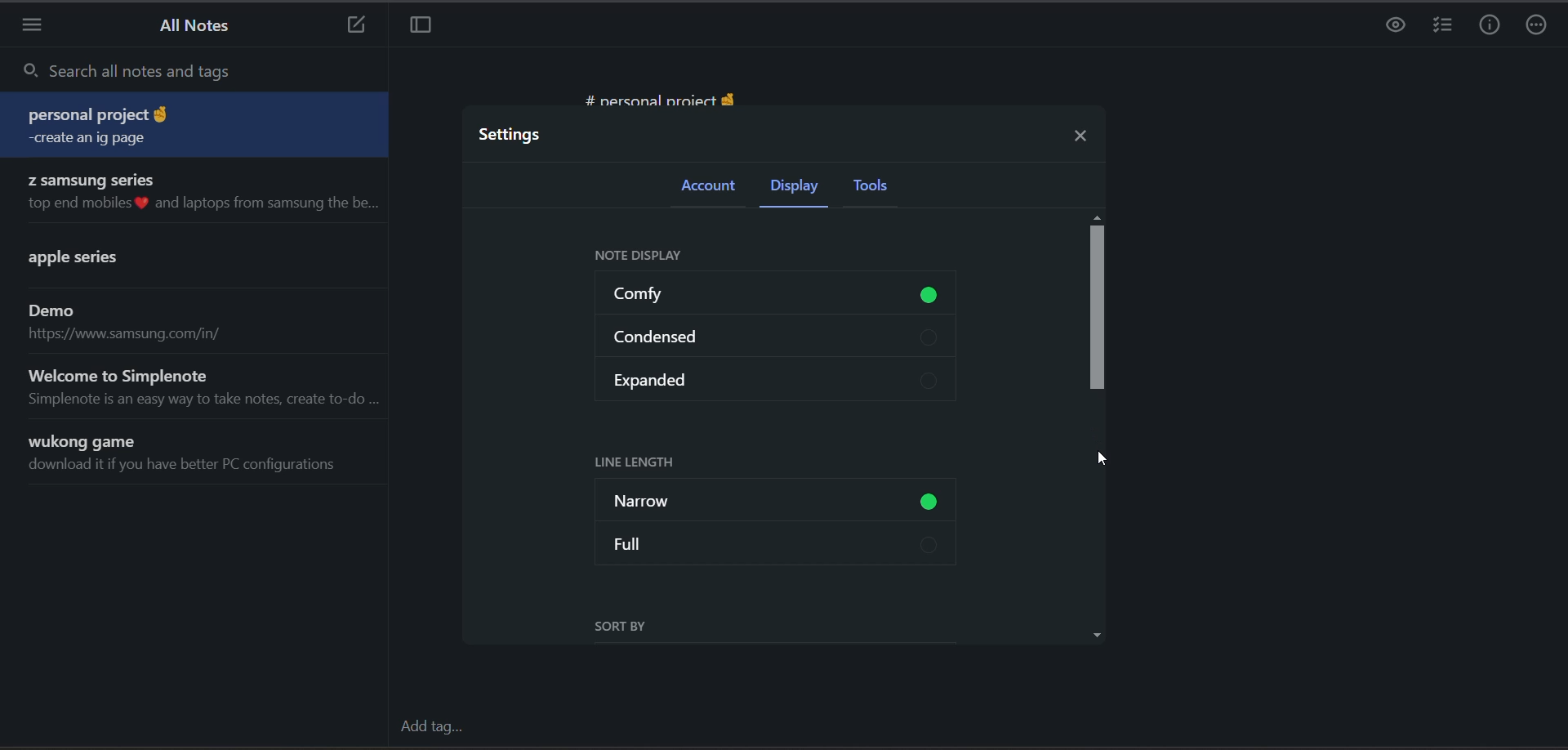 This screenshot has width=1568, height=750. I want to click on note title and preview, so click(128, 323).